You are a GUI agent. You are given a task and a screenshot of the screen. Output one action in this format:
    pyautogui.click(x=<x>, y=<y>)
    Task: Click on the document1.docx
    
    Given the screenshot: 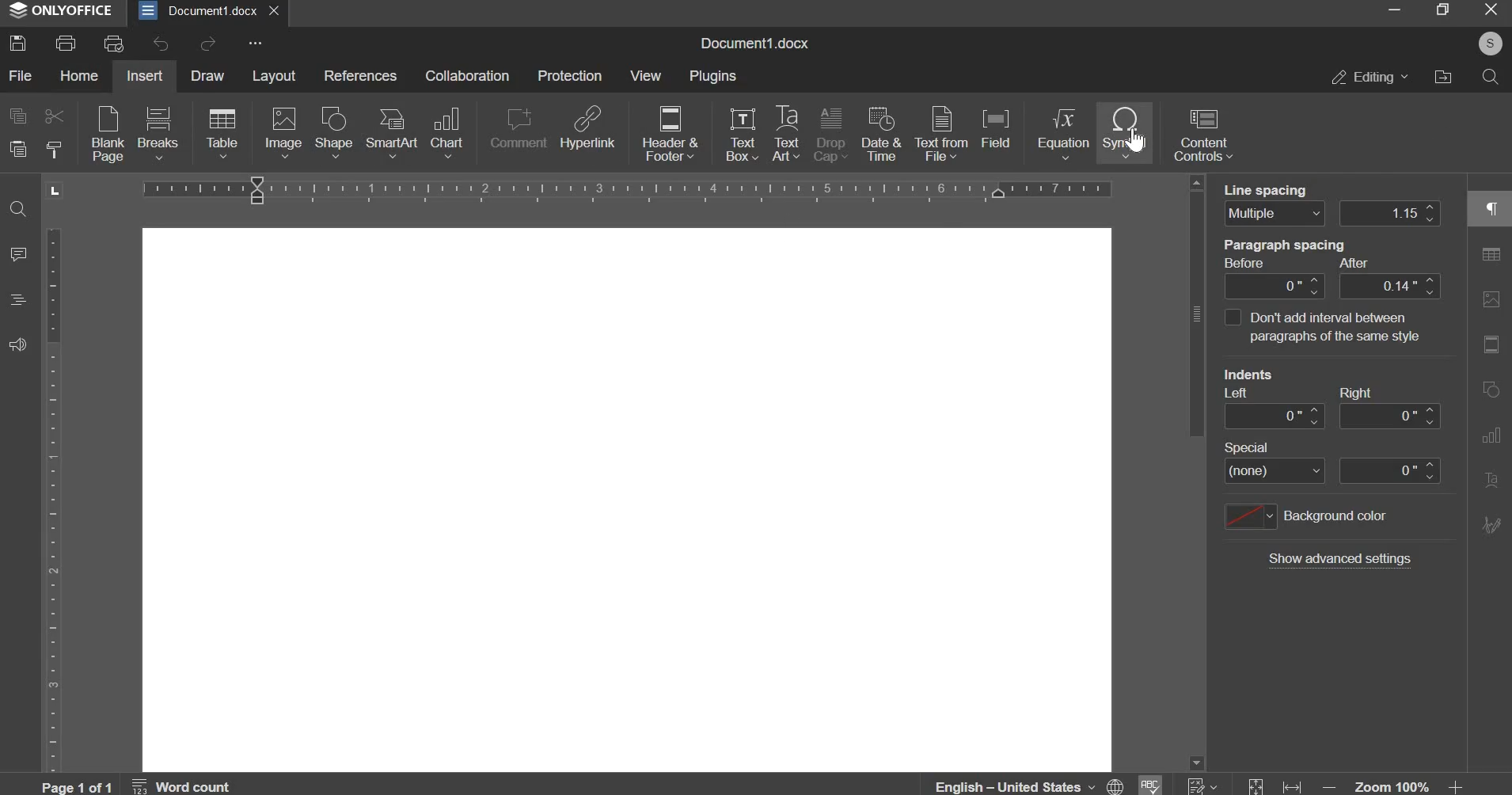 What is the action you would take?
    pyautogui.click(x=197, y=10)
    